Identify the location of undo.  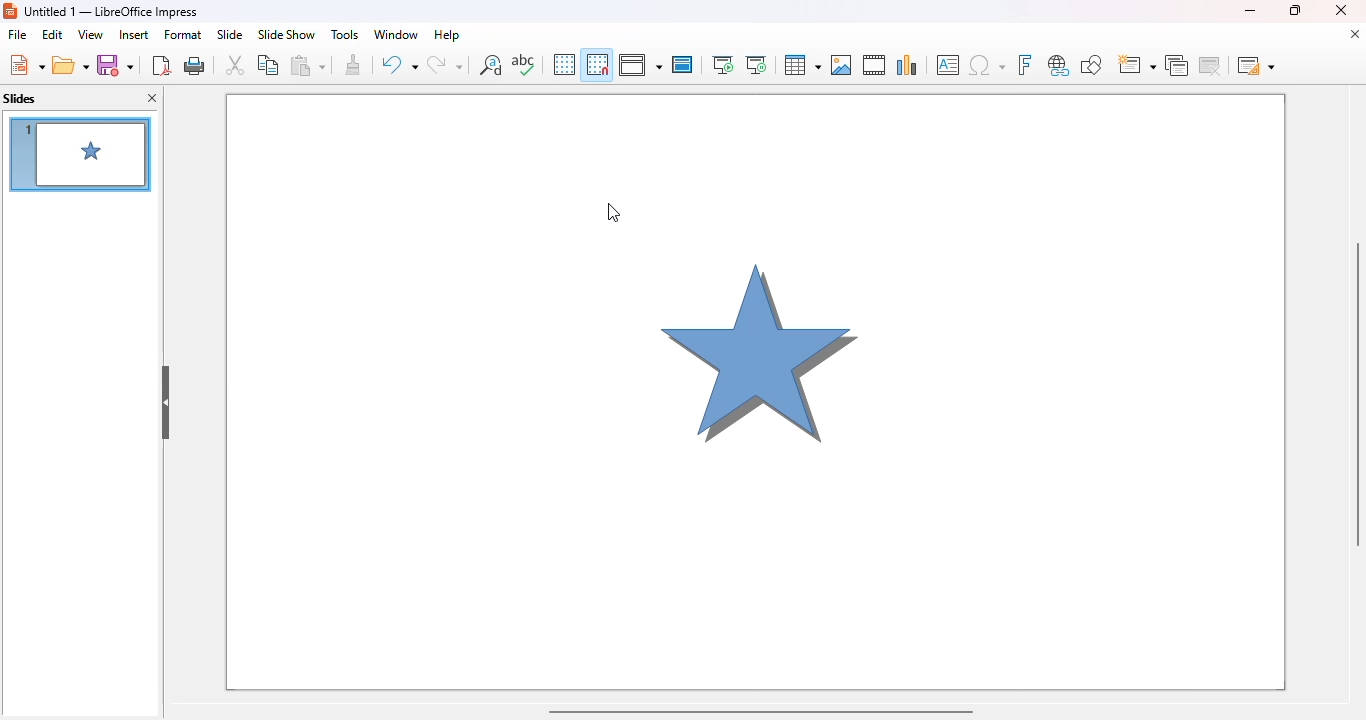
(398, 64).